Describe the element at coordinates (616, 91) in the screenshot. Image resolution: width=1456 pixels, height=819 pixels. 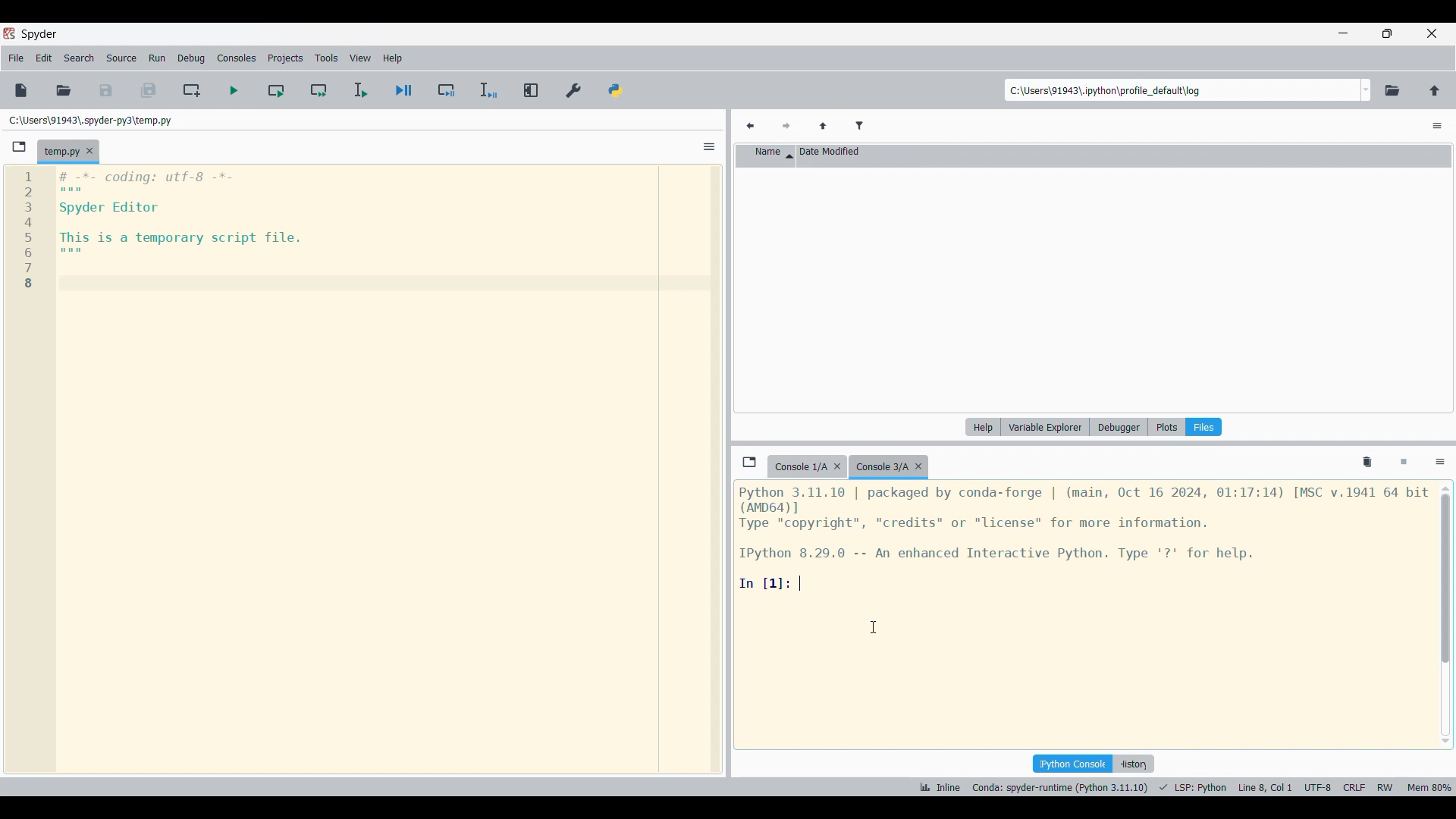
I see `PYTHONPATH manager` at that location.